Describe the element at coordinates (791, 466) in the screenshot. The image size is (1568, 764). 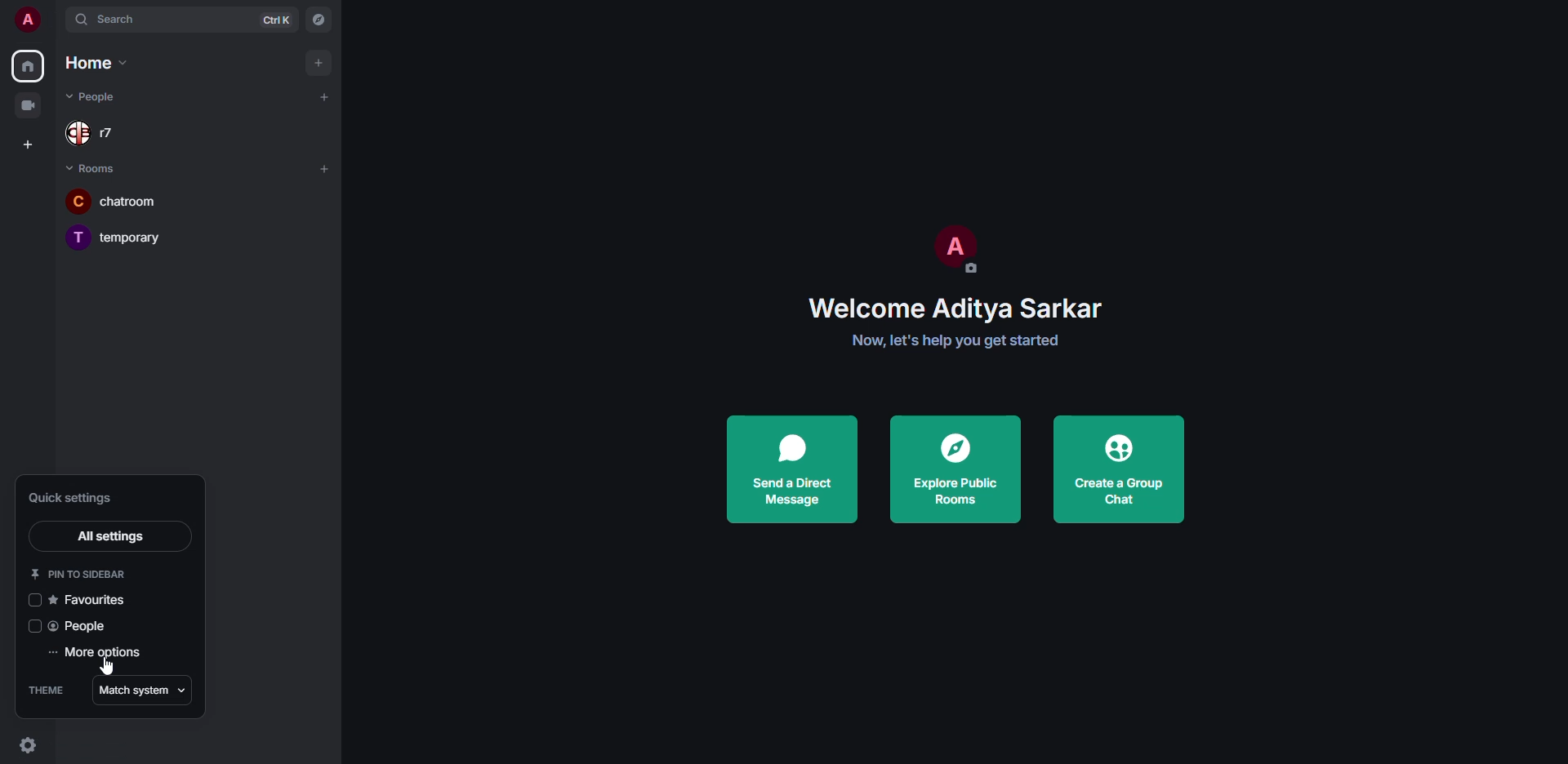
I see `send a direct message` at that location.